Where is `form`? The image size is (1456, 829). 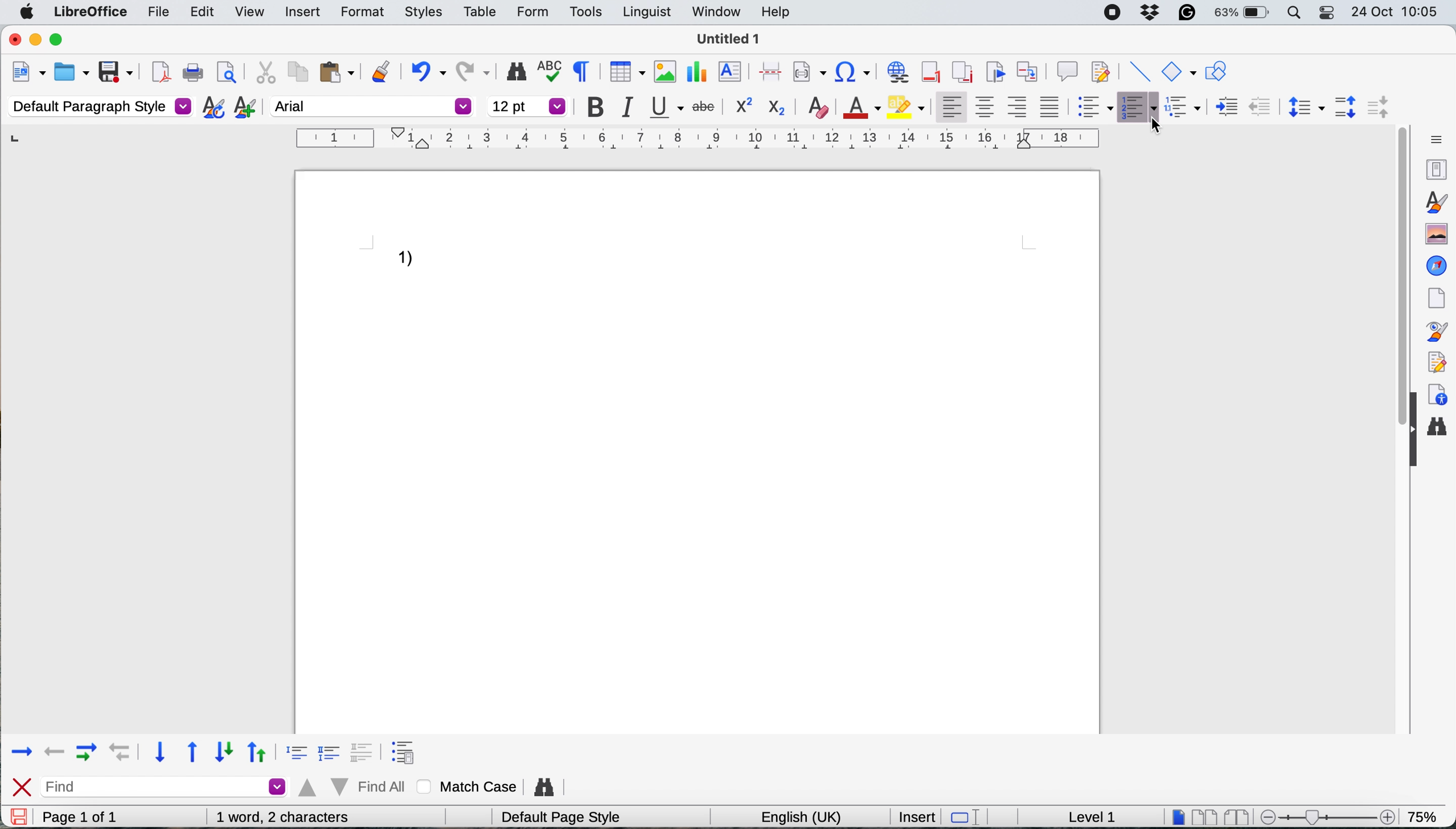 form is located at coordinates (529, 13).